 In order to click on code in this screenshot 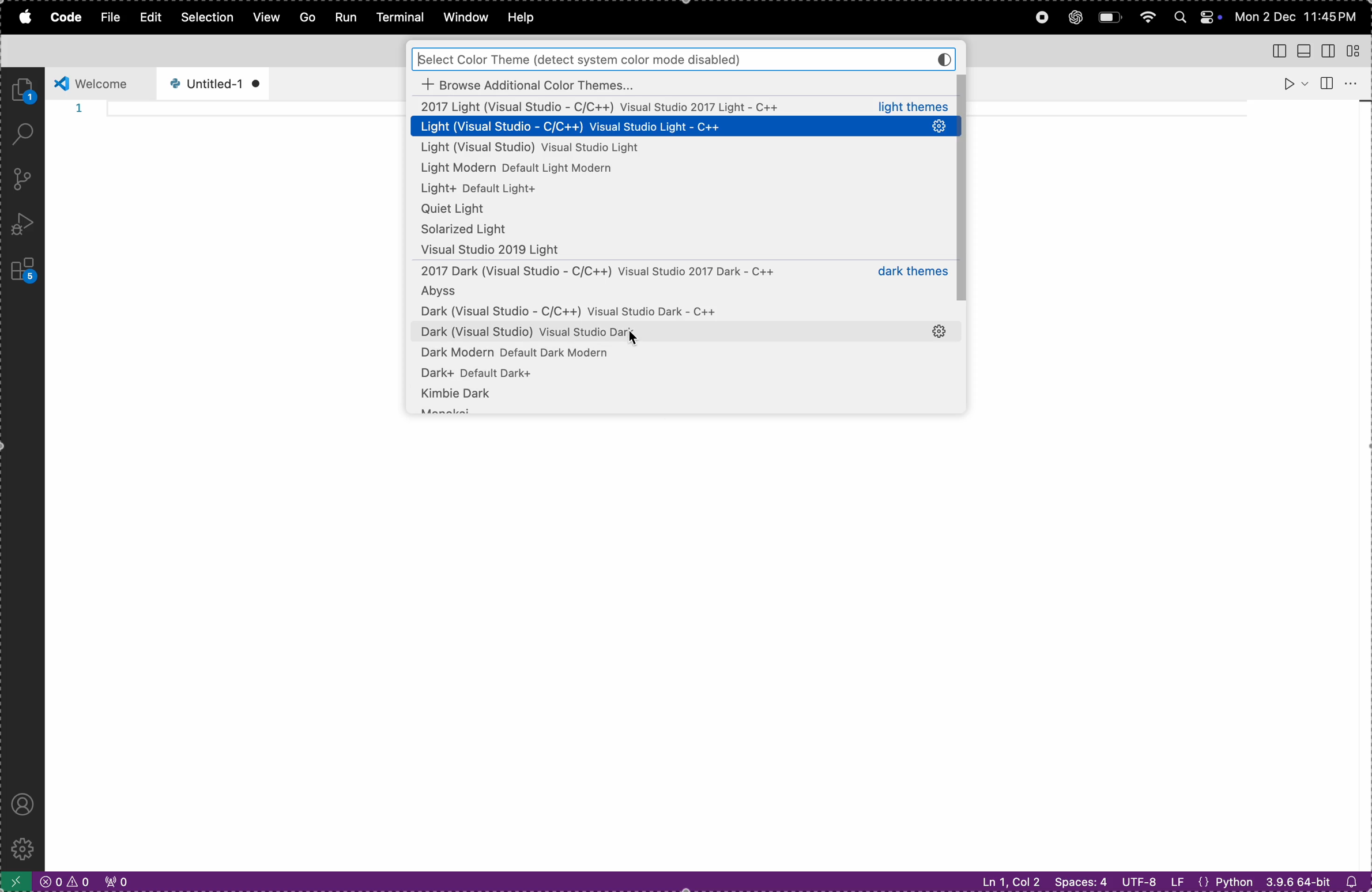, I will do `click(61, 17)`.